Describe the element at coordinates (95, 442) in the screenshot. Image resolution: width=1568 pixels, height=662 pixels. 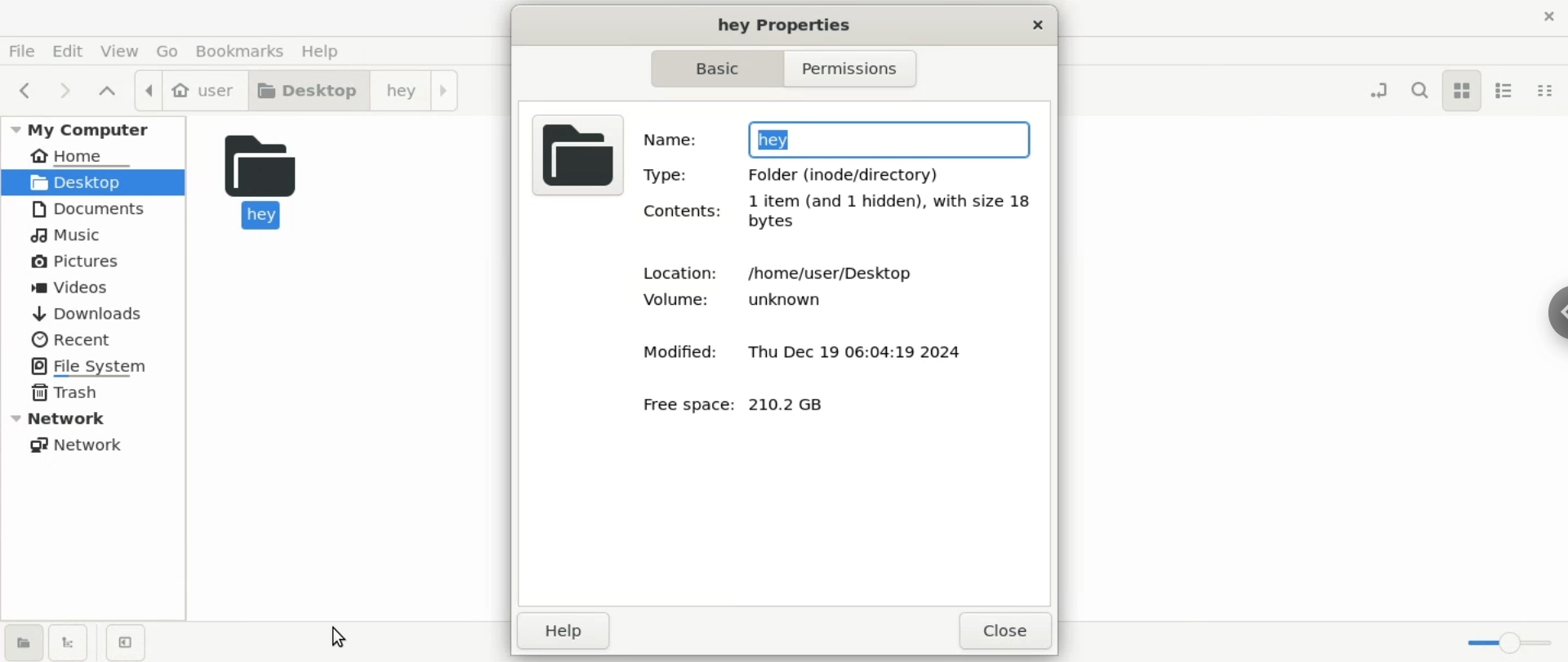
I see `network` at that location.